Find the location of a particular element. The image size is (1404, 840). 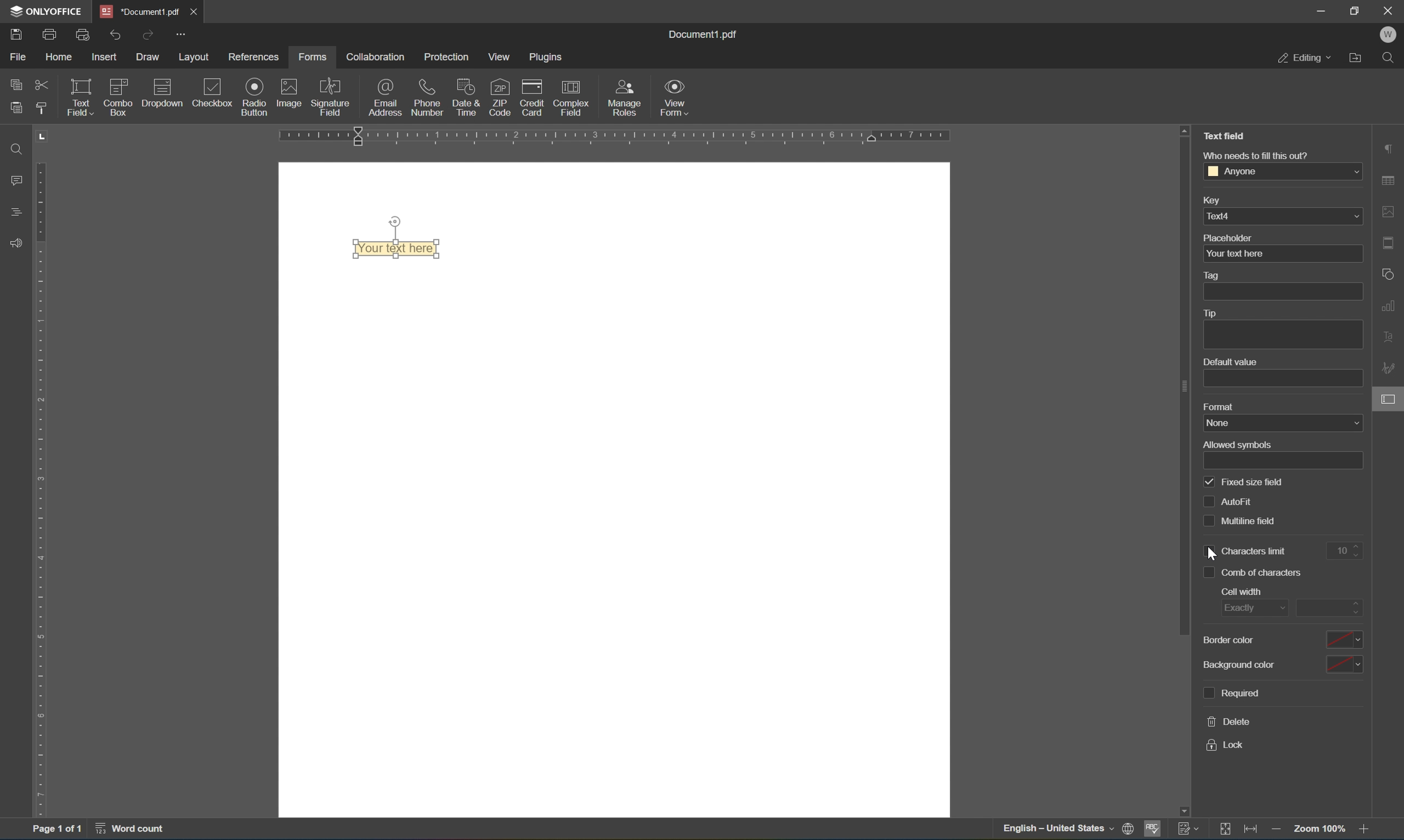

image is located at coordinates (288, 96).